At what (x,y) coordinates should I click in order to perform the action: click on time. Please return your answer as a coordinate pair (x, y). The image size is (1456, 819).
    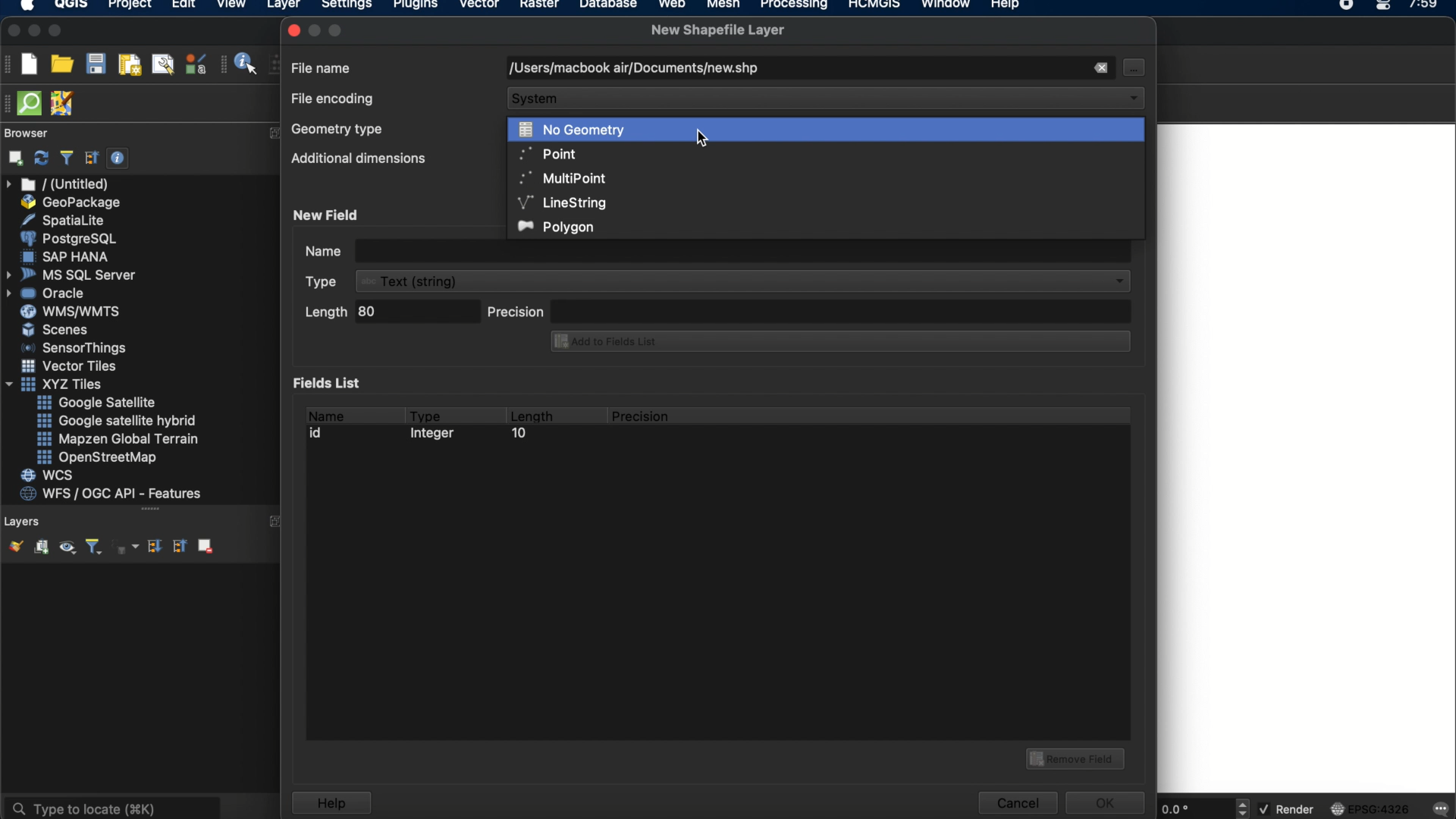
    Looking at the image, I should click on (1425, 9).